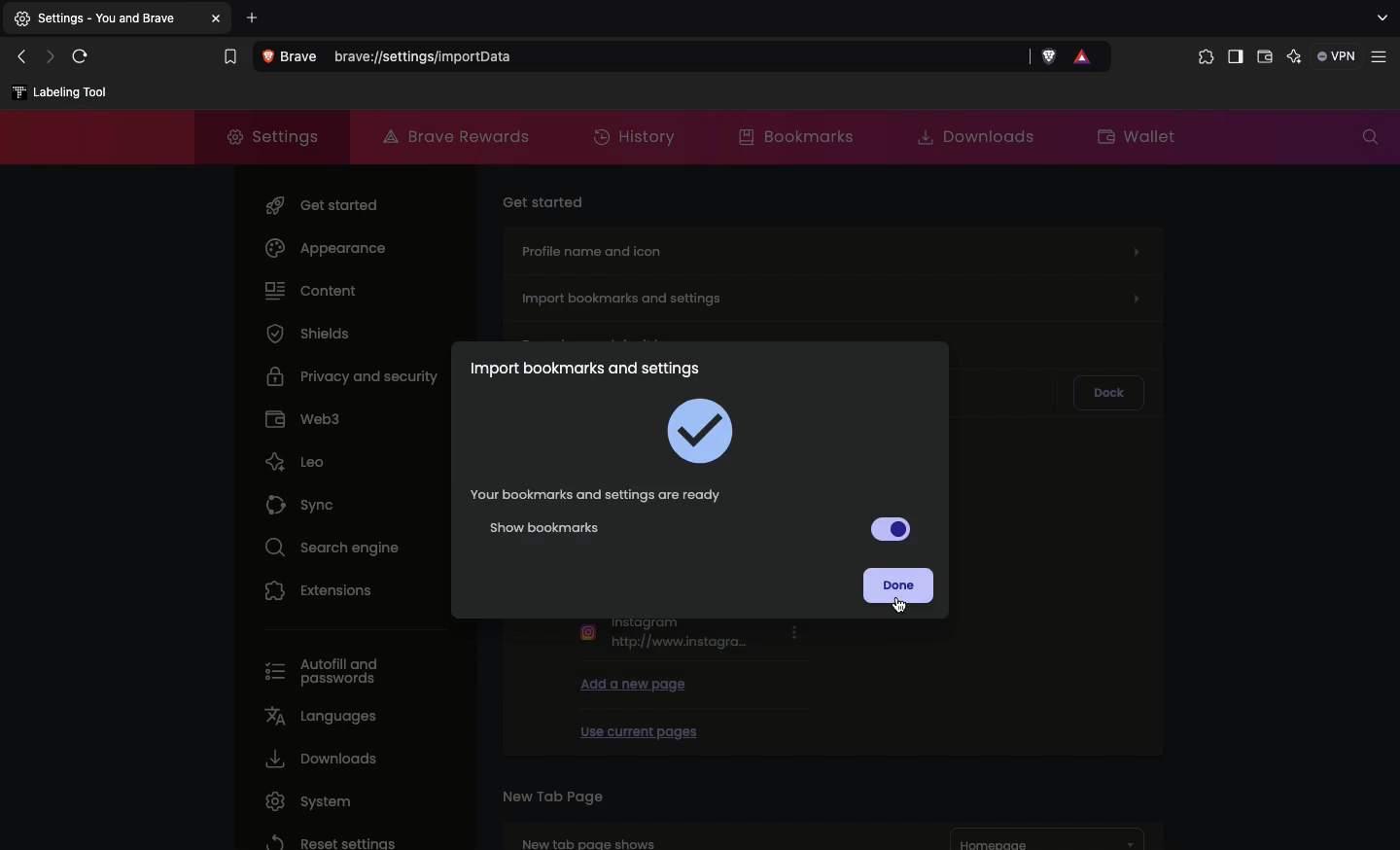 The width and height of the screenshot is (1400, 850). Describe the element at coordinates (308, 333) in the screenshot. I see `Shields` at that location.